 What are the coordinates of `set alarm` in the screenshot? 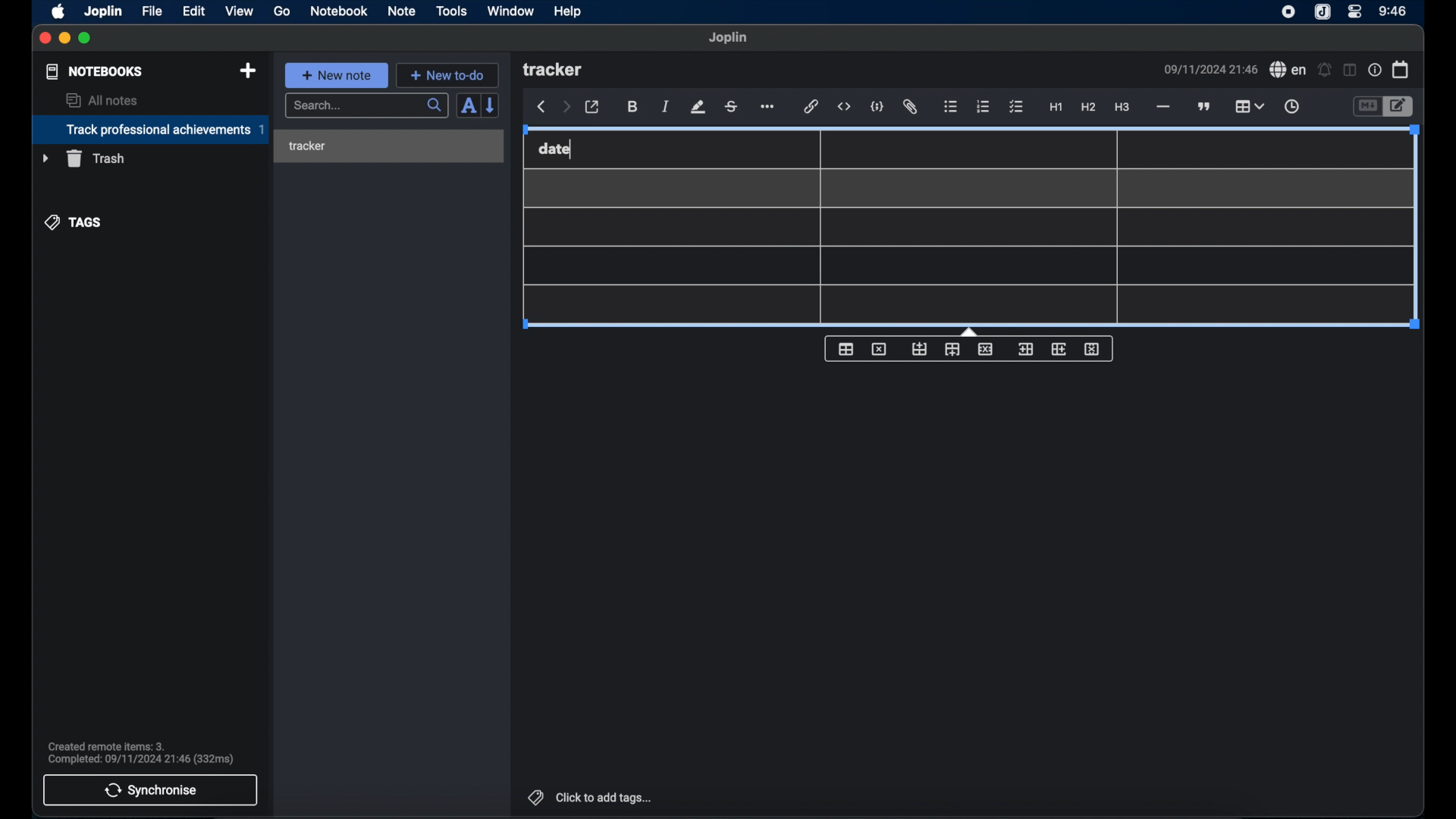 It's located at (1324, 69).